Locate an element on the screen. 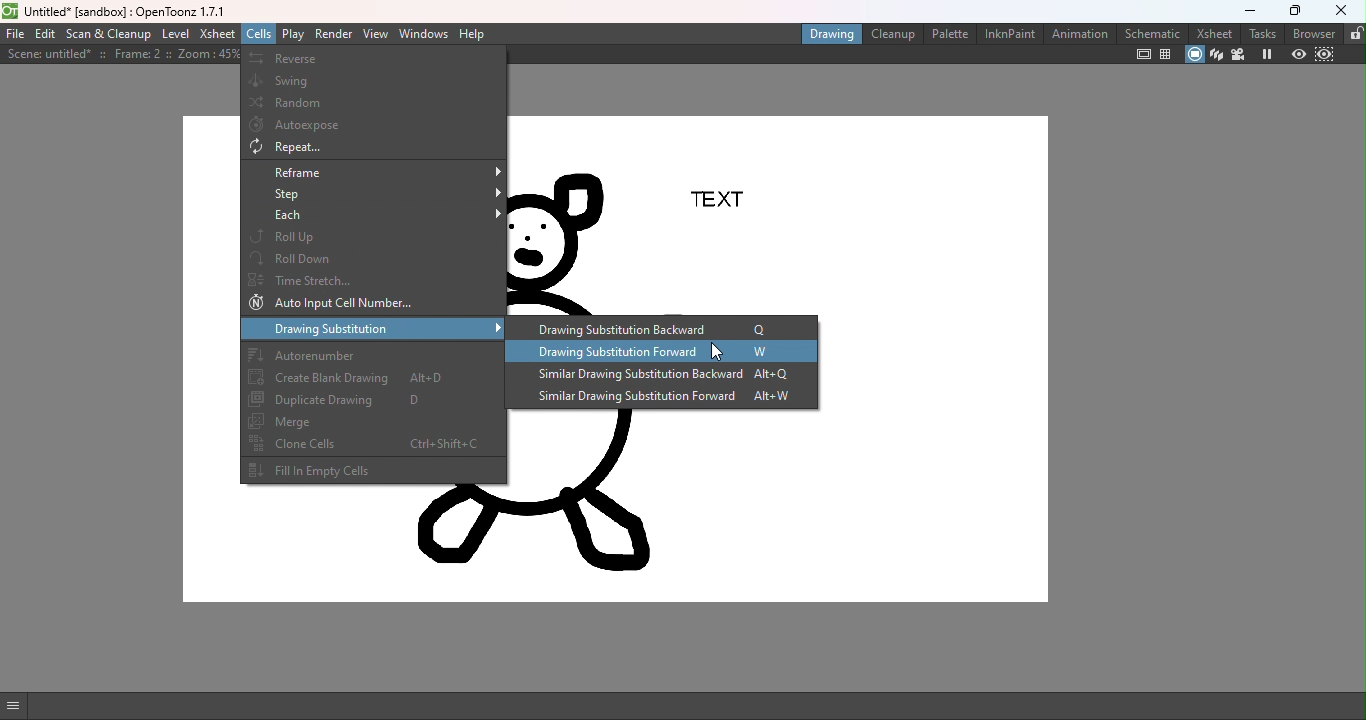  Merge is located at coordinates (374, 424).